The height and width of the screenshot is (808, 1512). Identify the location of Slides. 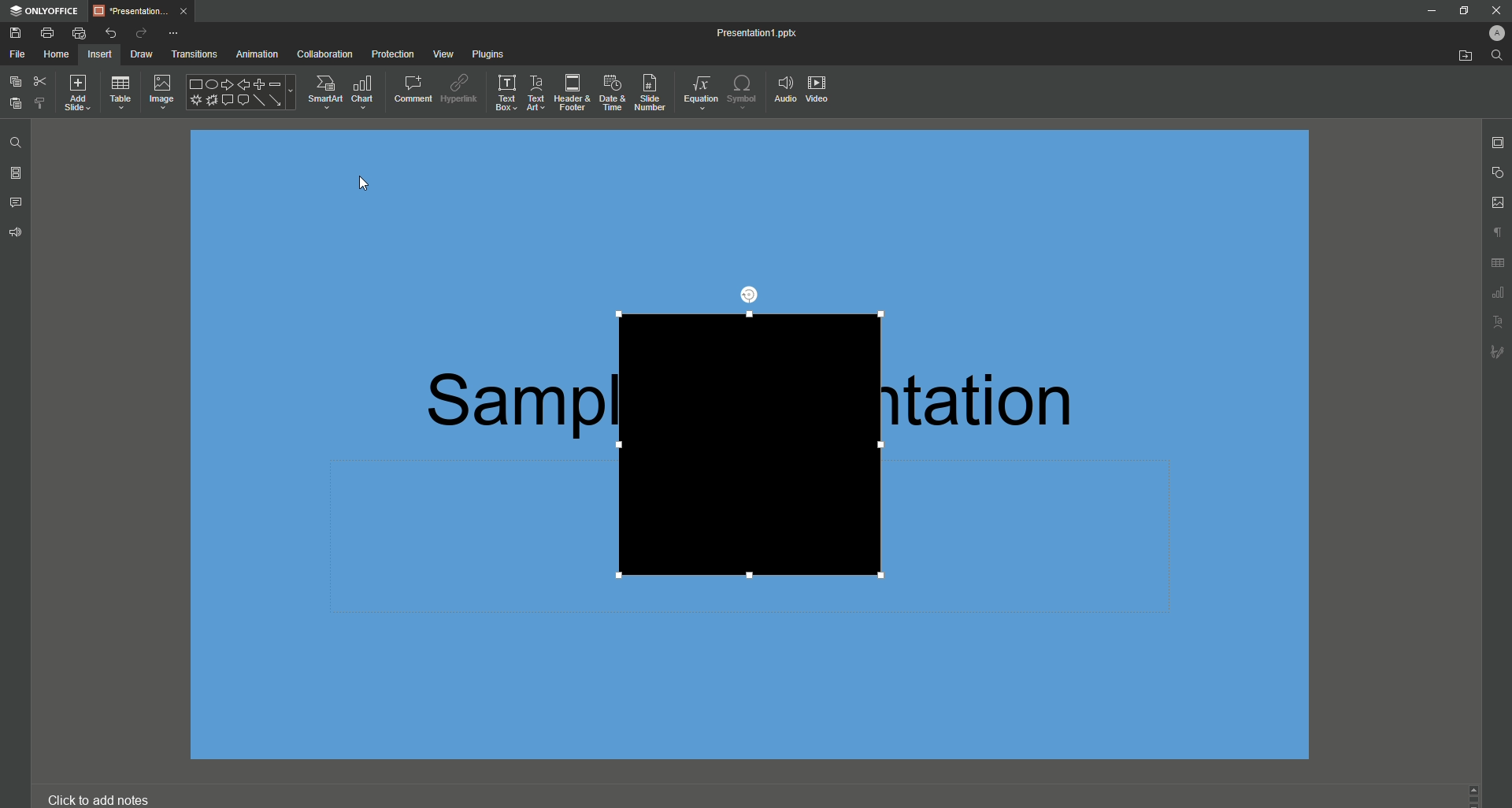
(17, 173).